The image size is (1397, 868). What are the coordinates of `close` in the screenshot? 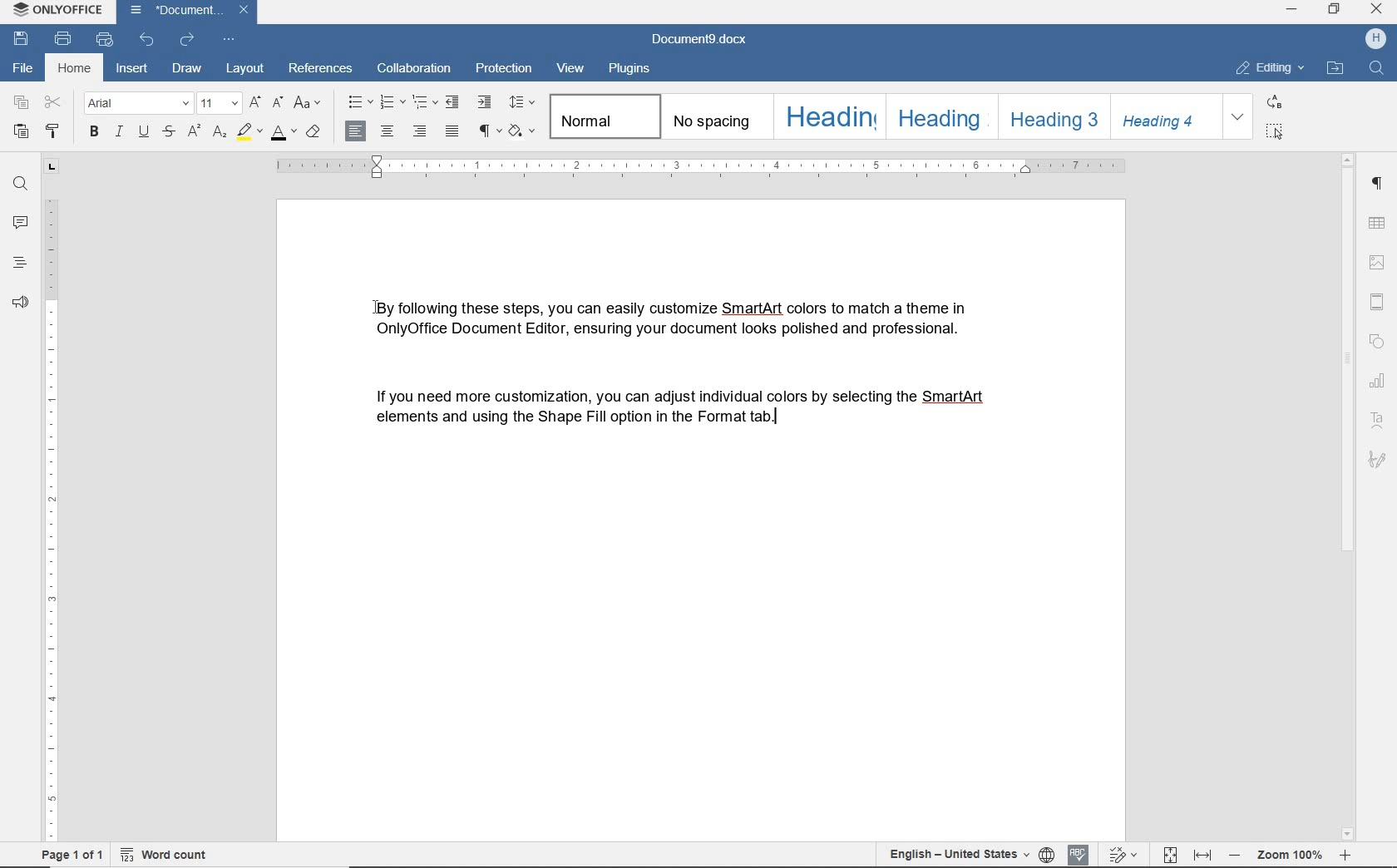 It's located at (244, 12).